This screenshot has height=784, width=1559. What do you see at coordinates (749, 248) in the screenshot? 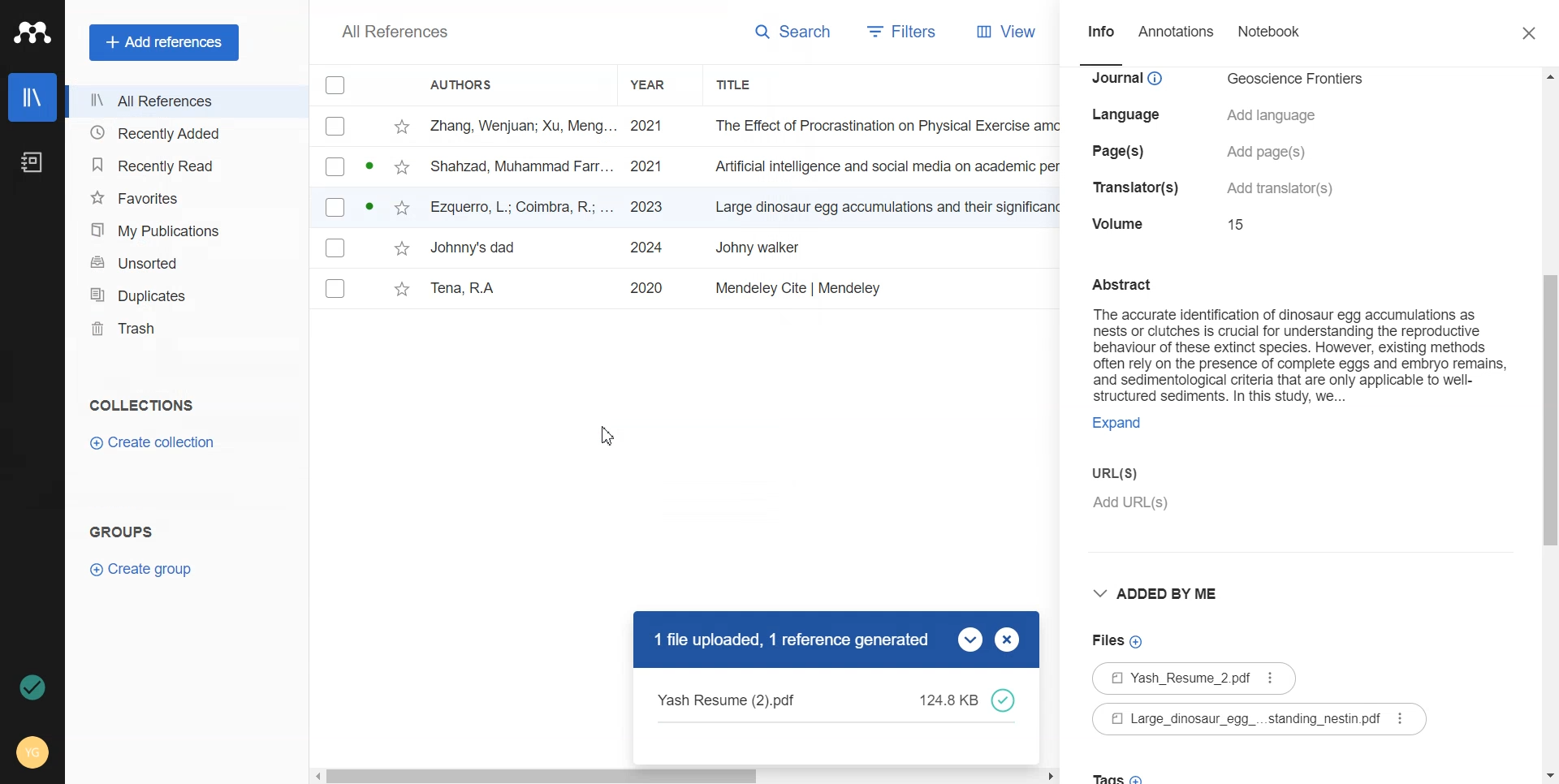
I see `File` at bounding box center [749, 248].